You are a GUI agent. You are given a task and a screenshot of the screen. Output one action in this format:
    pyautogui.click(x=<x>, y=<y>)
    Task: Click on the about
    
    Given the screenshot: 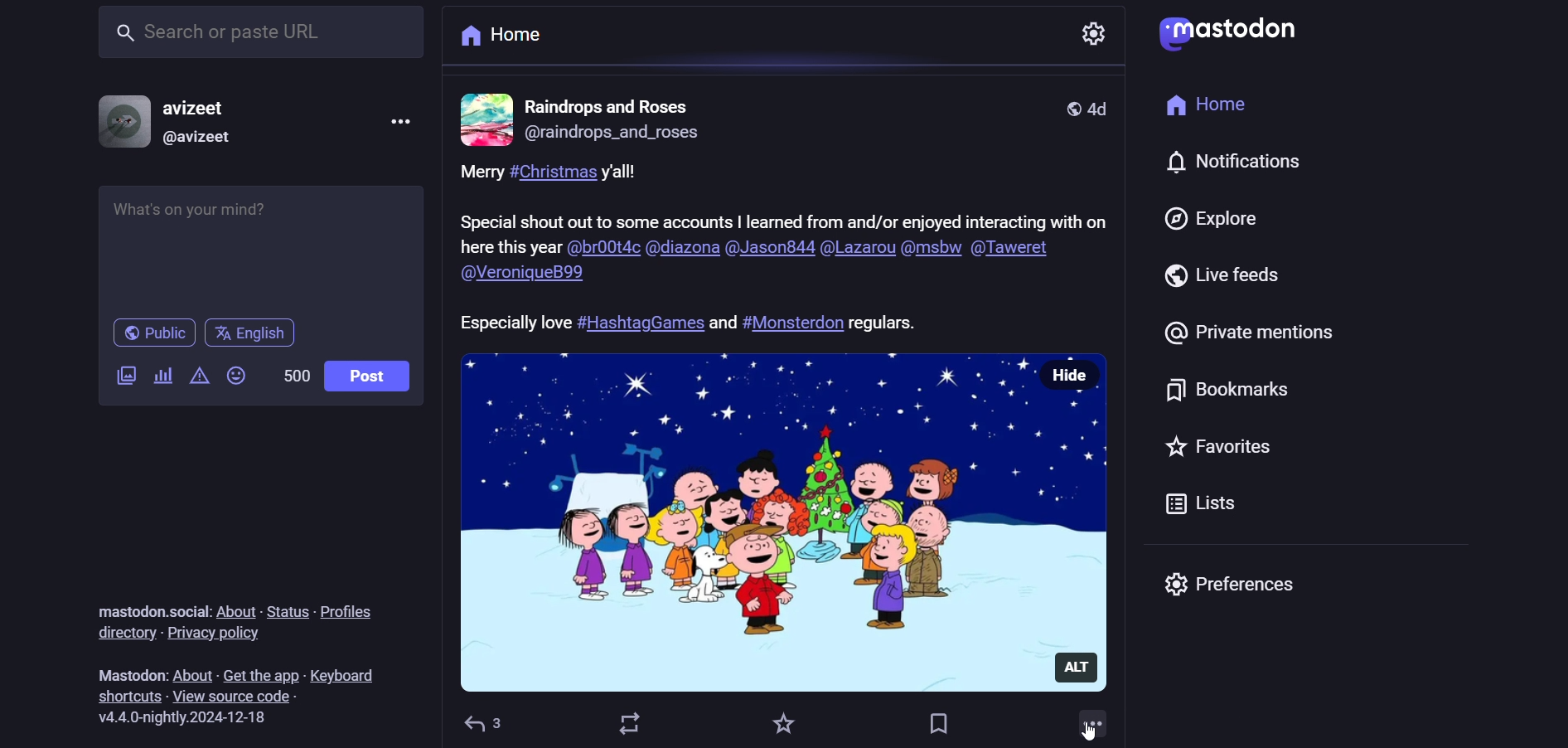 What is the action you would take?
    pyautogui.click(x=235, y=606)
    